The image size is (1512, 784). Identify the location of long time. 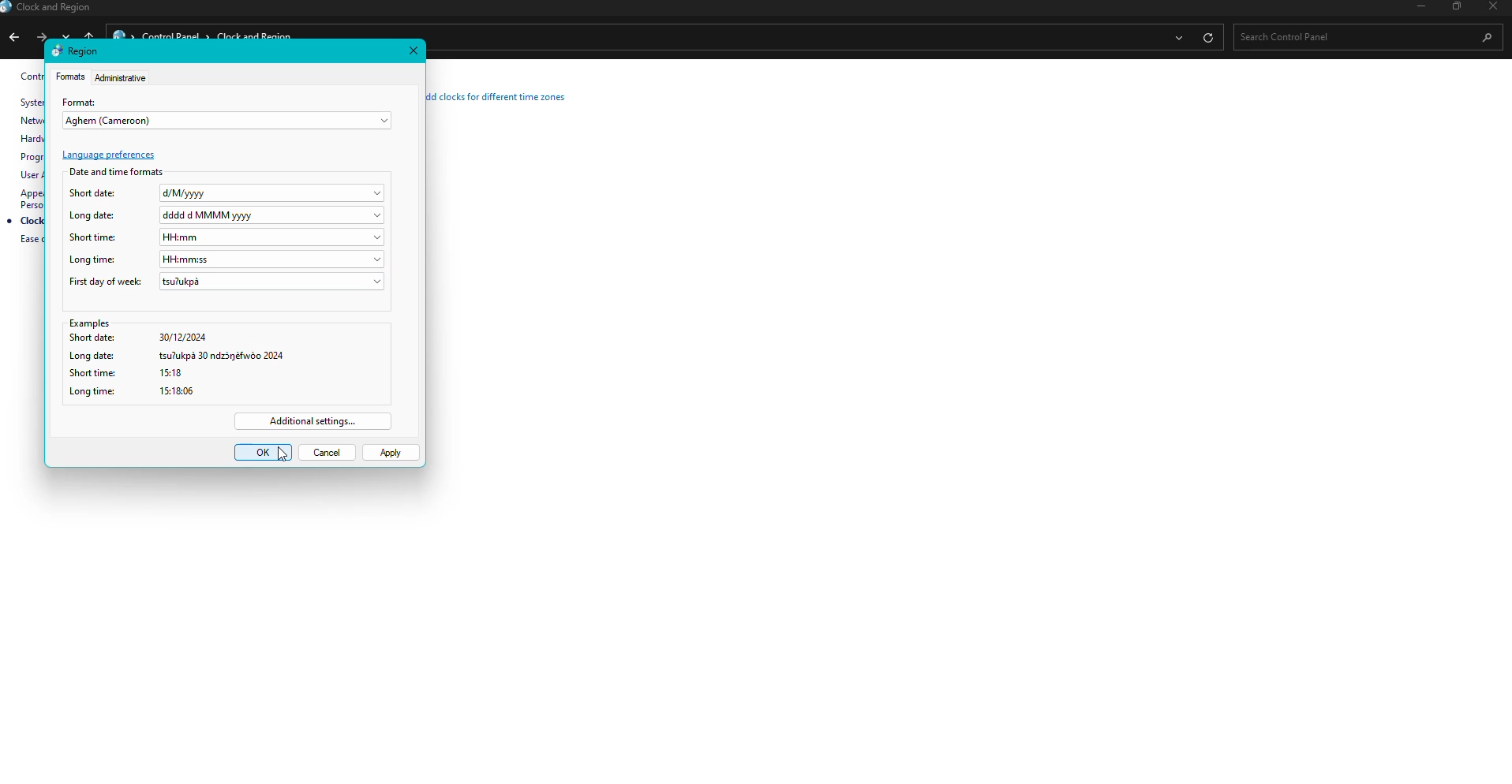
(219, 391).